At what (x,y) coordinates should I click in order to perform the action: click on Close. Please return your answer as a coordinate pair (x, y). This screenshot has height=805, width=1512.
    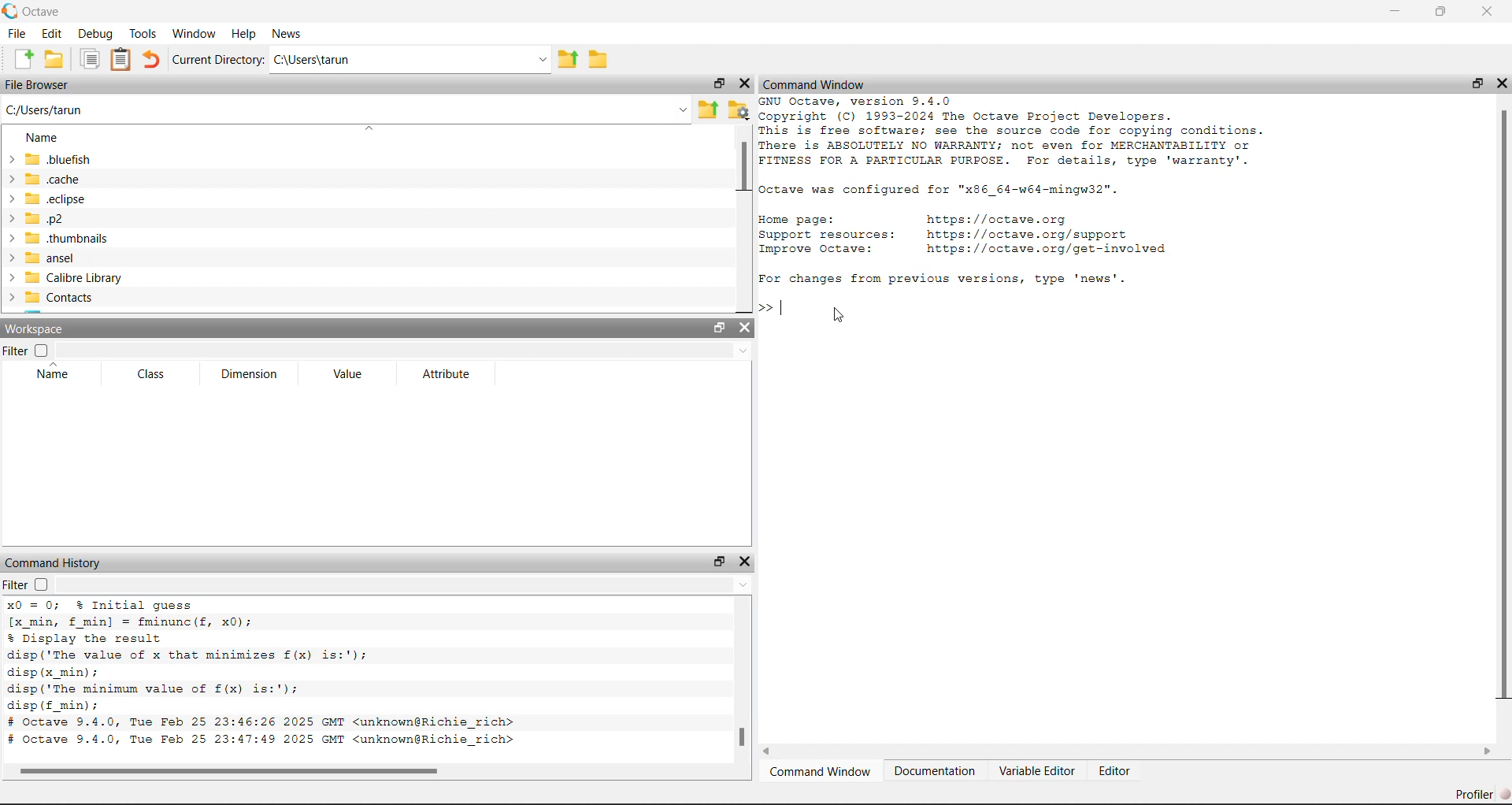
    Looking at the image, I should click on (747, 82).